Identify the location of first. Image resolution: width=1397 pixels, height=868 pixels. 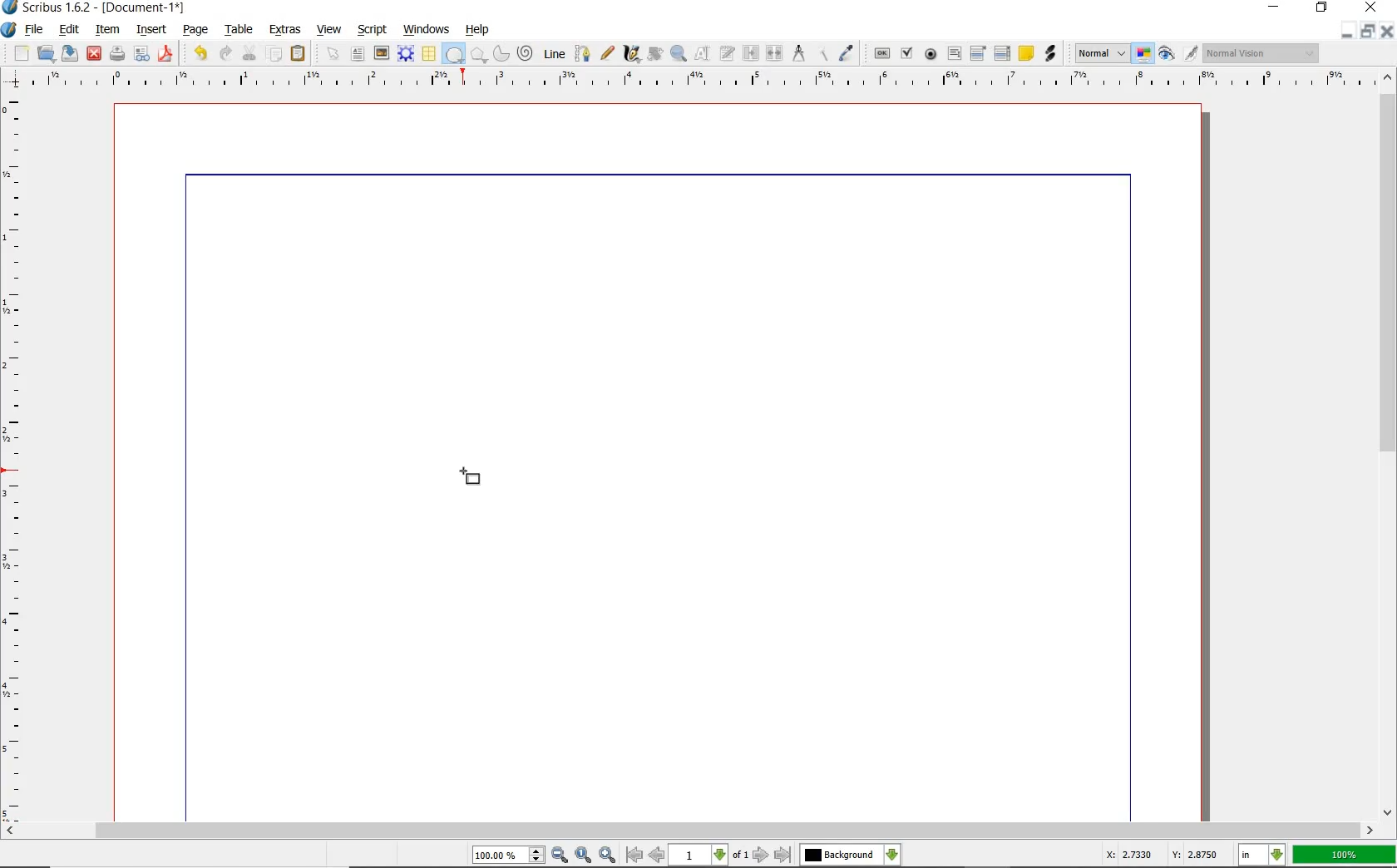
(634, 855).